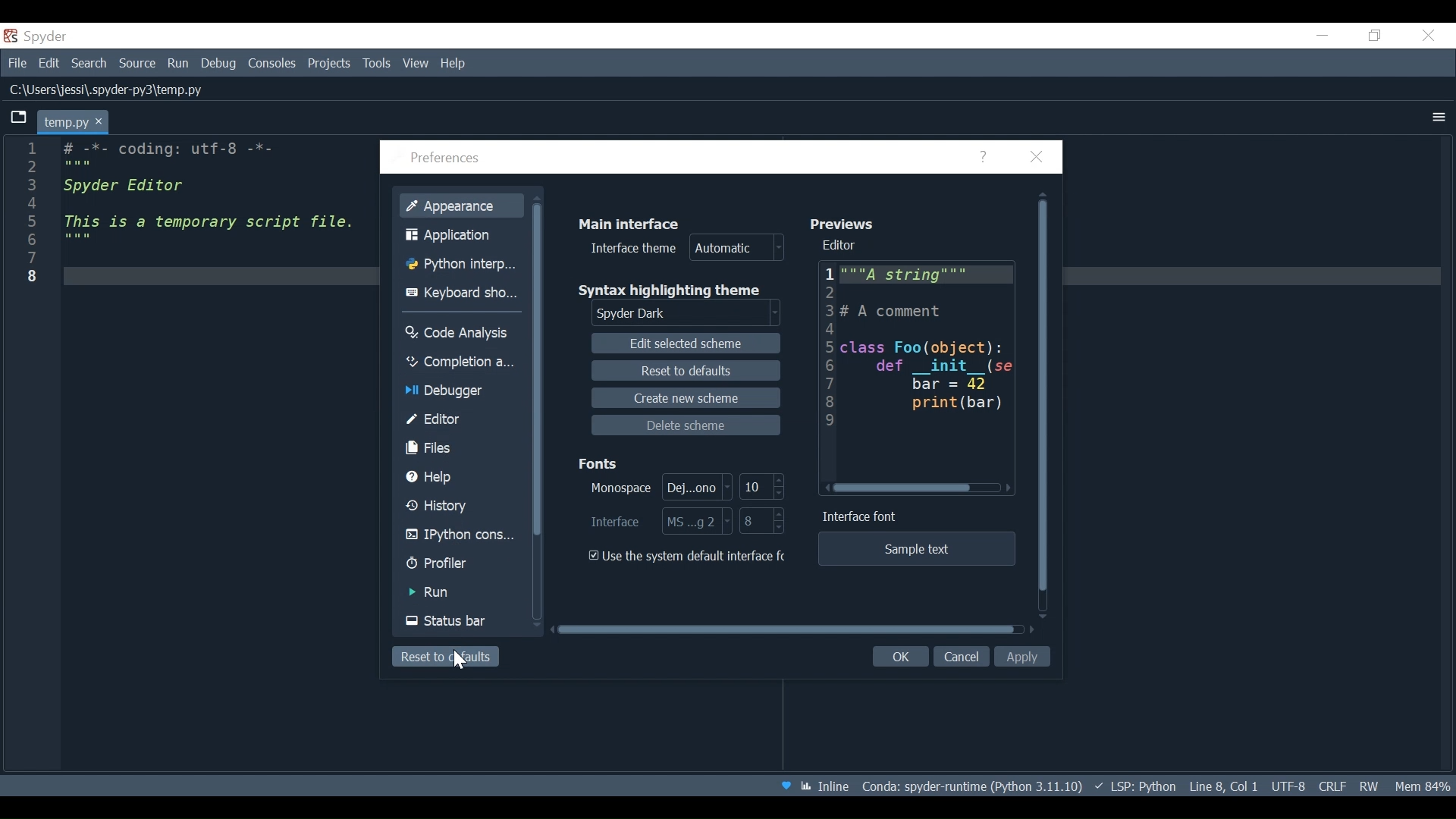 This screenshot has width=1456, height=819. I want to click on Sample text, so click(915, 549).